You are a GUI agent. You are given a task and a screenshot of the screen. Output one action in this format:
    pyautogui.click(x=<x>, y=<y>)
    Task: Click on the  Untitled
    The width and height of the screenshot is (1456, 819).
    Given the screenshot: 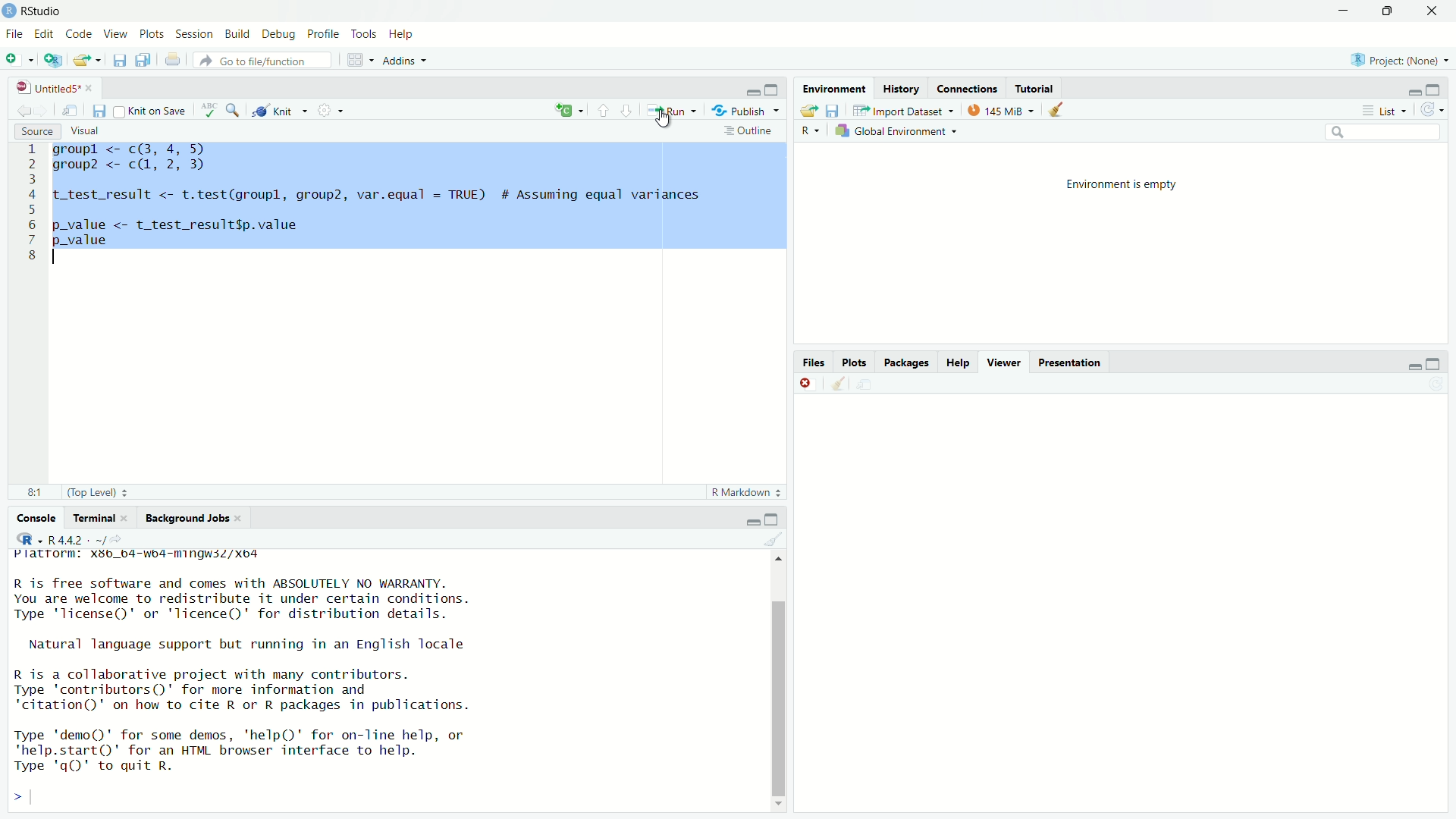 What is the action you would take?
    pyautogui.click(x=54, y=86)
    